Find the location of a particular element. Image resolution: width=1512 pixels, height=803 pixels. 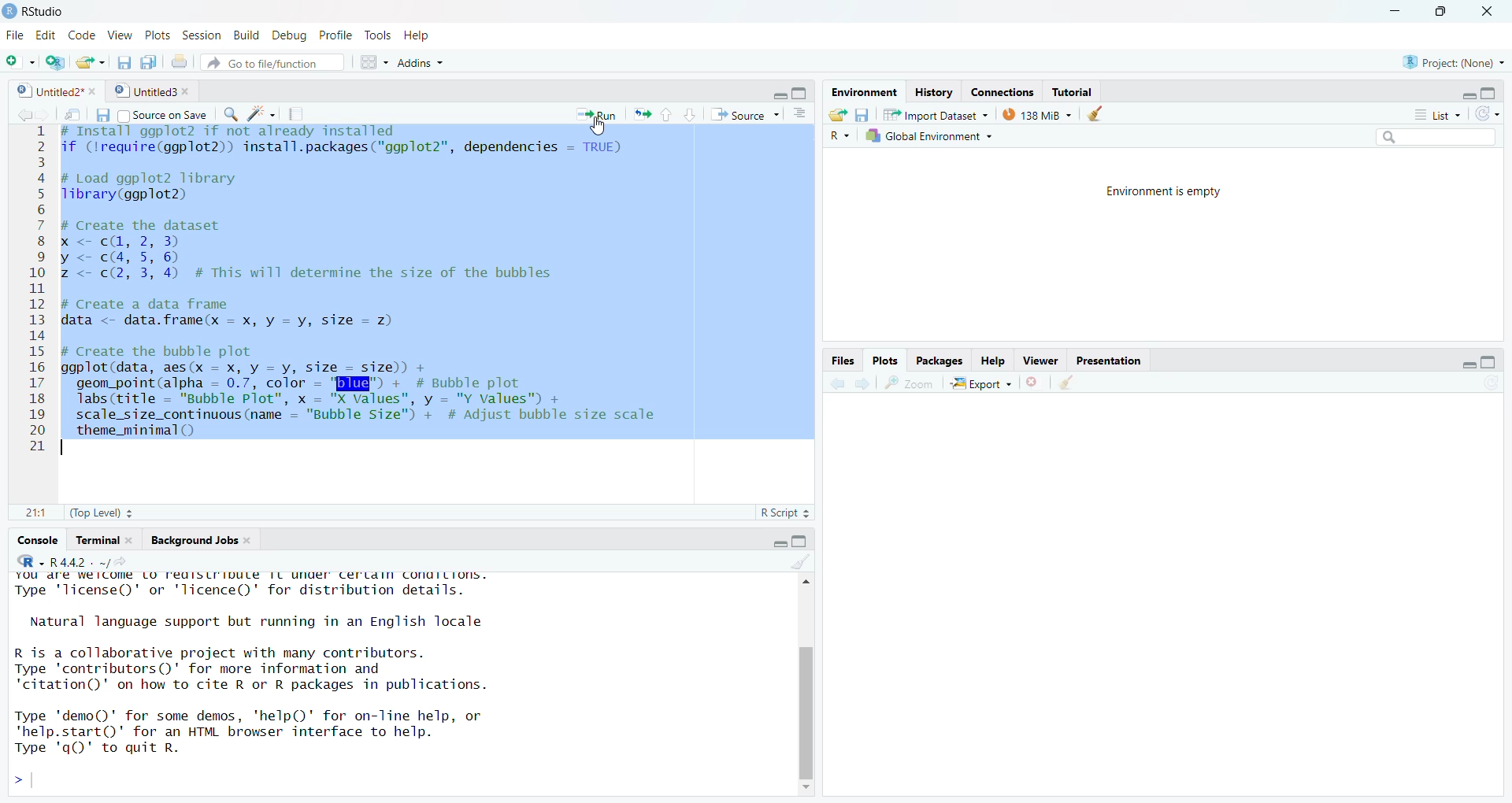

Run is located at coordinates (589, 113).